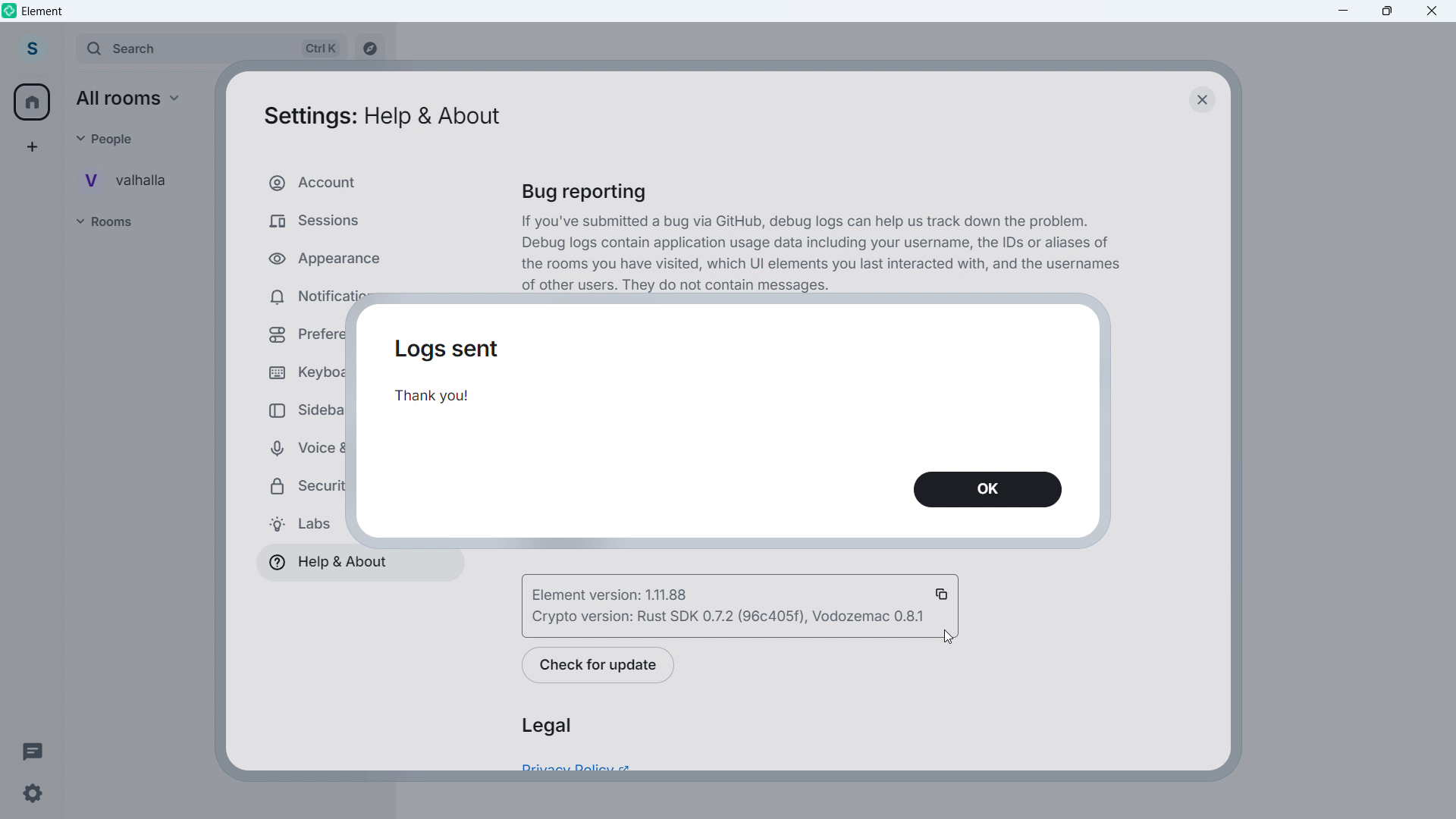 The image size is (1456, 819). What do you see at coordinates (33, 750) in the screenshot?
I see `Threads ` at bounding box center [33, 750].